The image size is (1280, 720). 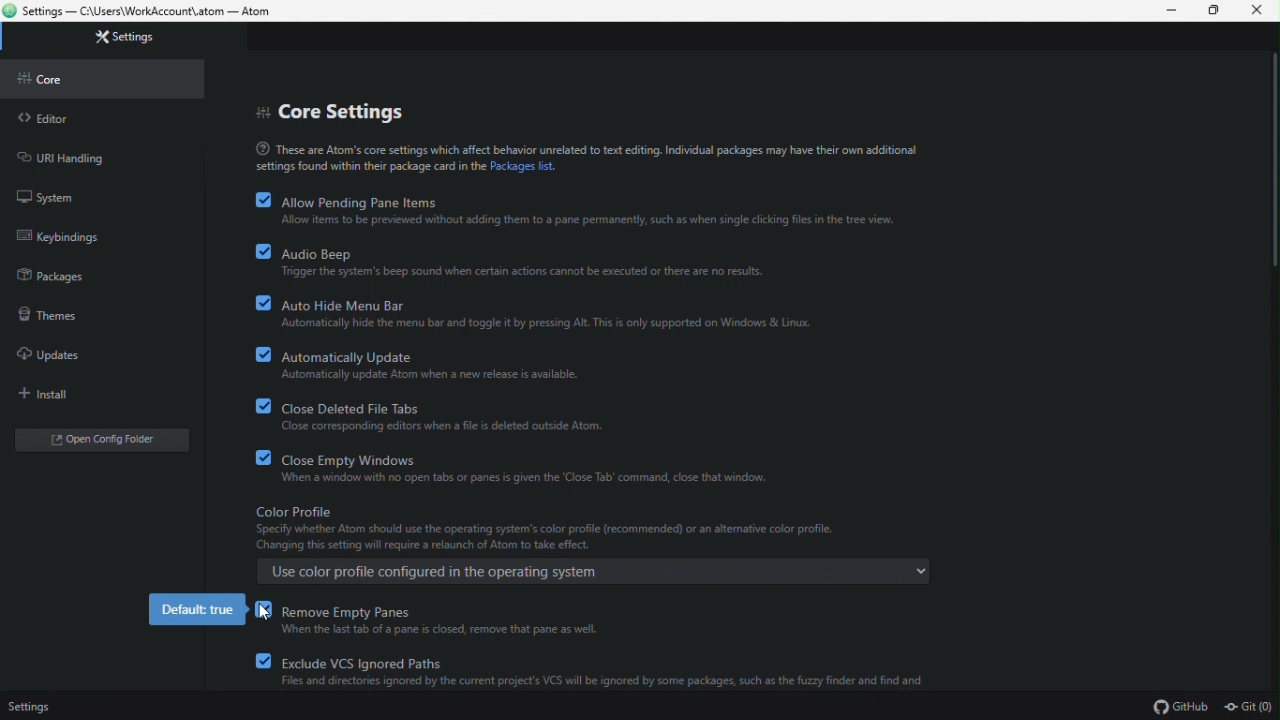 I want to click on audio beep, so click(x=525, y=262).